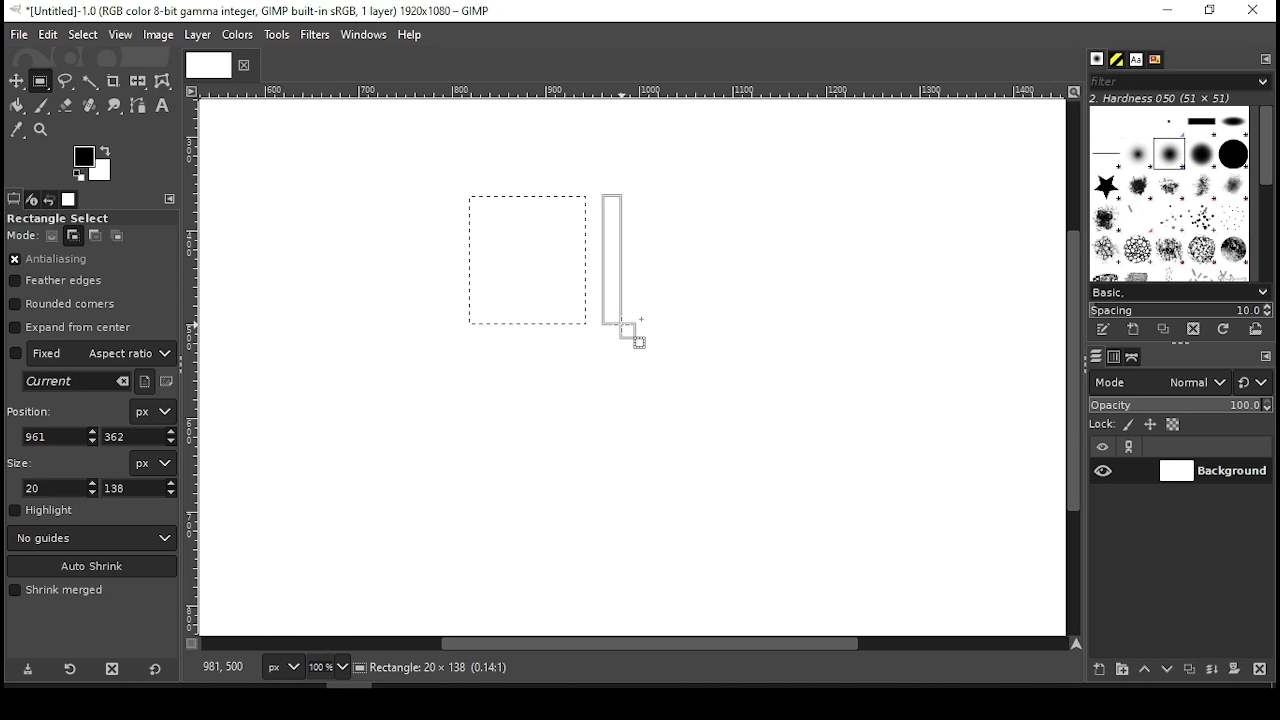  Describe the element at coordinates (16, 132) in the screenshot. I see `color picker tool` at that location.